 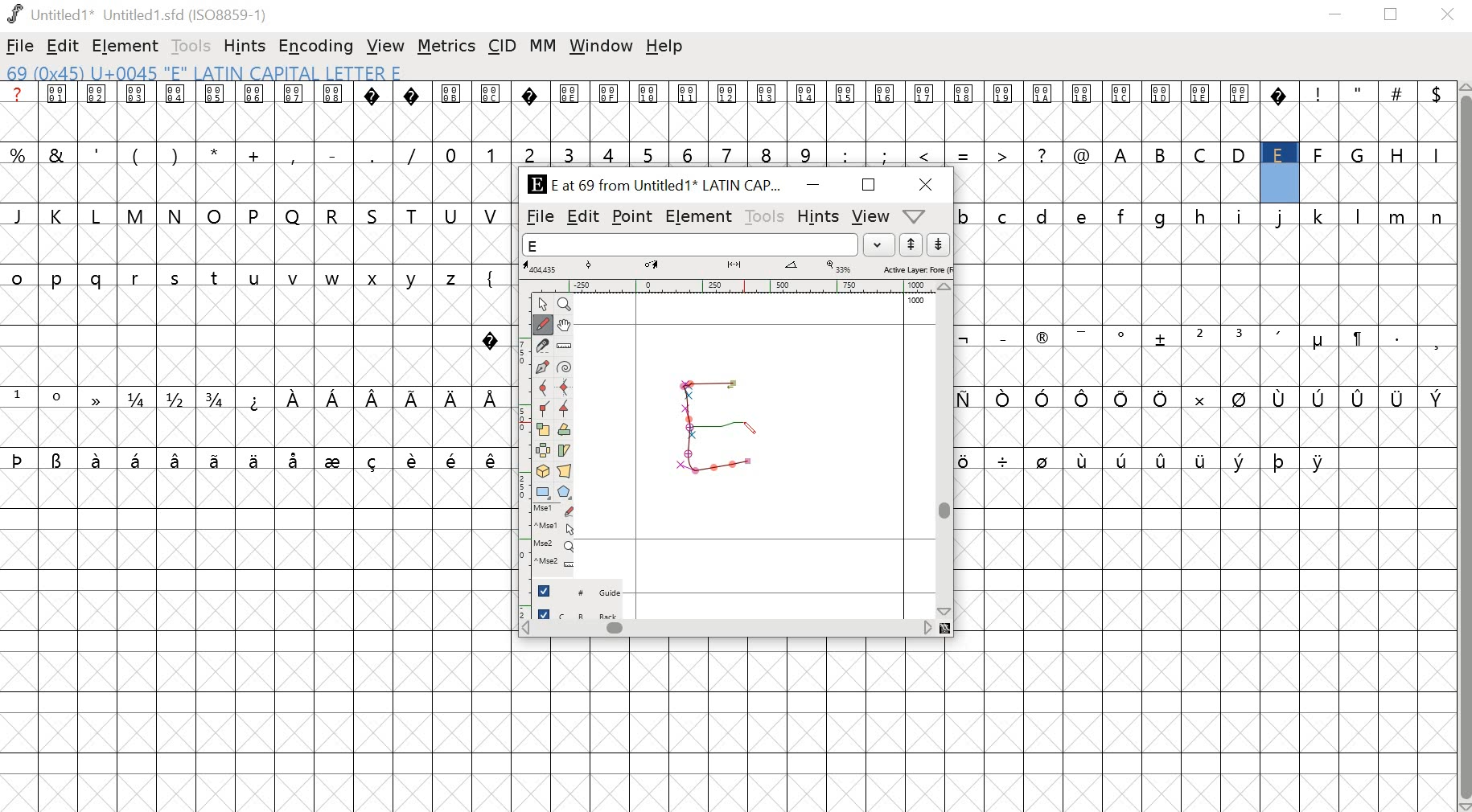 I want to click on view, so click(x=386, y=46).